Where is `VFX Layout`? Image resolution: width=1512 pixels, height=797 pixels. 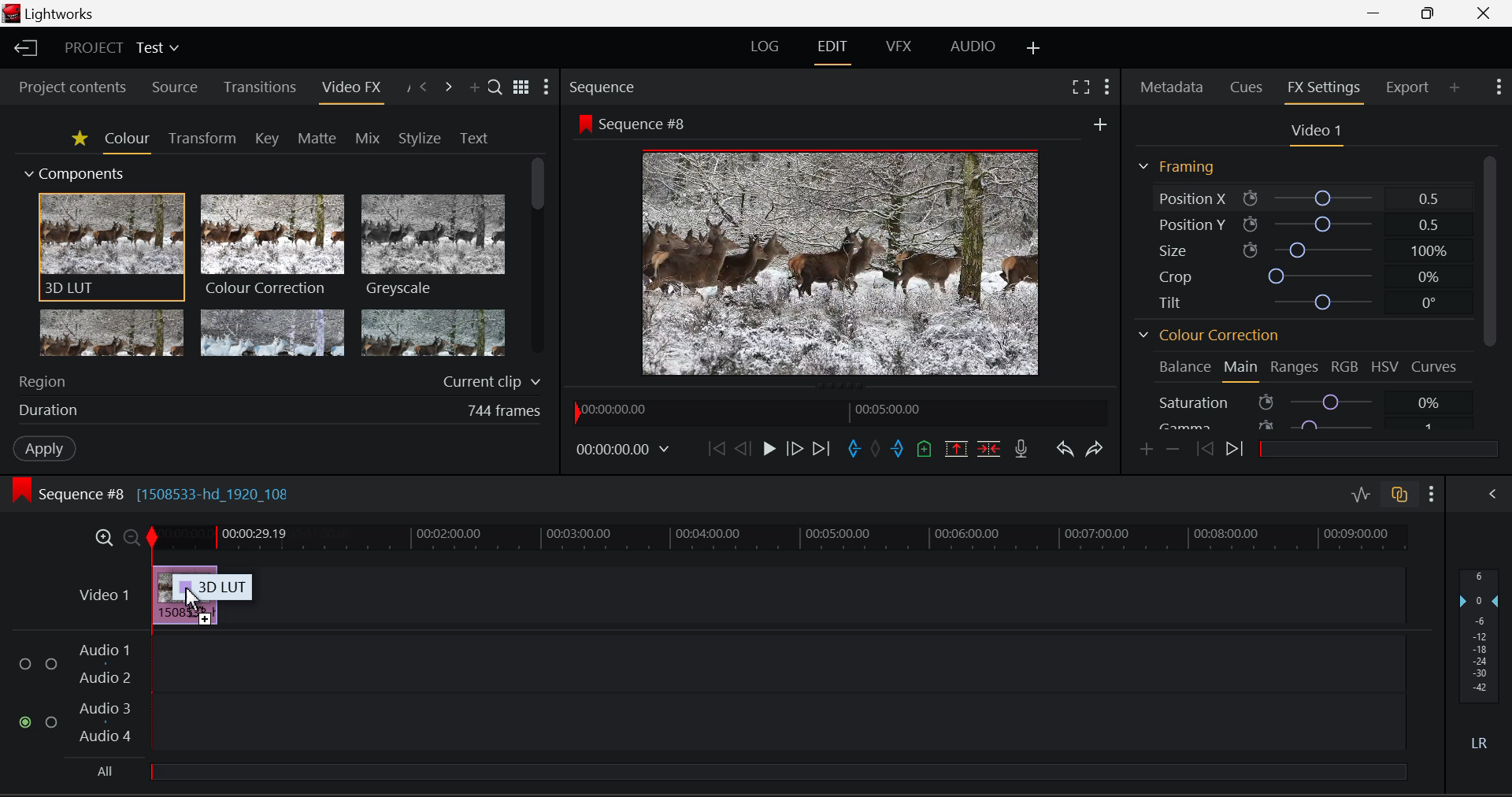
VFX Layout is located at coordinates (901, 47).